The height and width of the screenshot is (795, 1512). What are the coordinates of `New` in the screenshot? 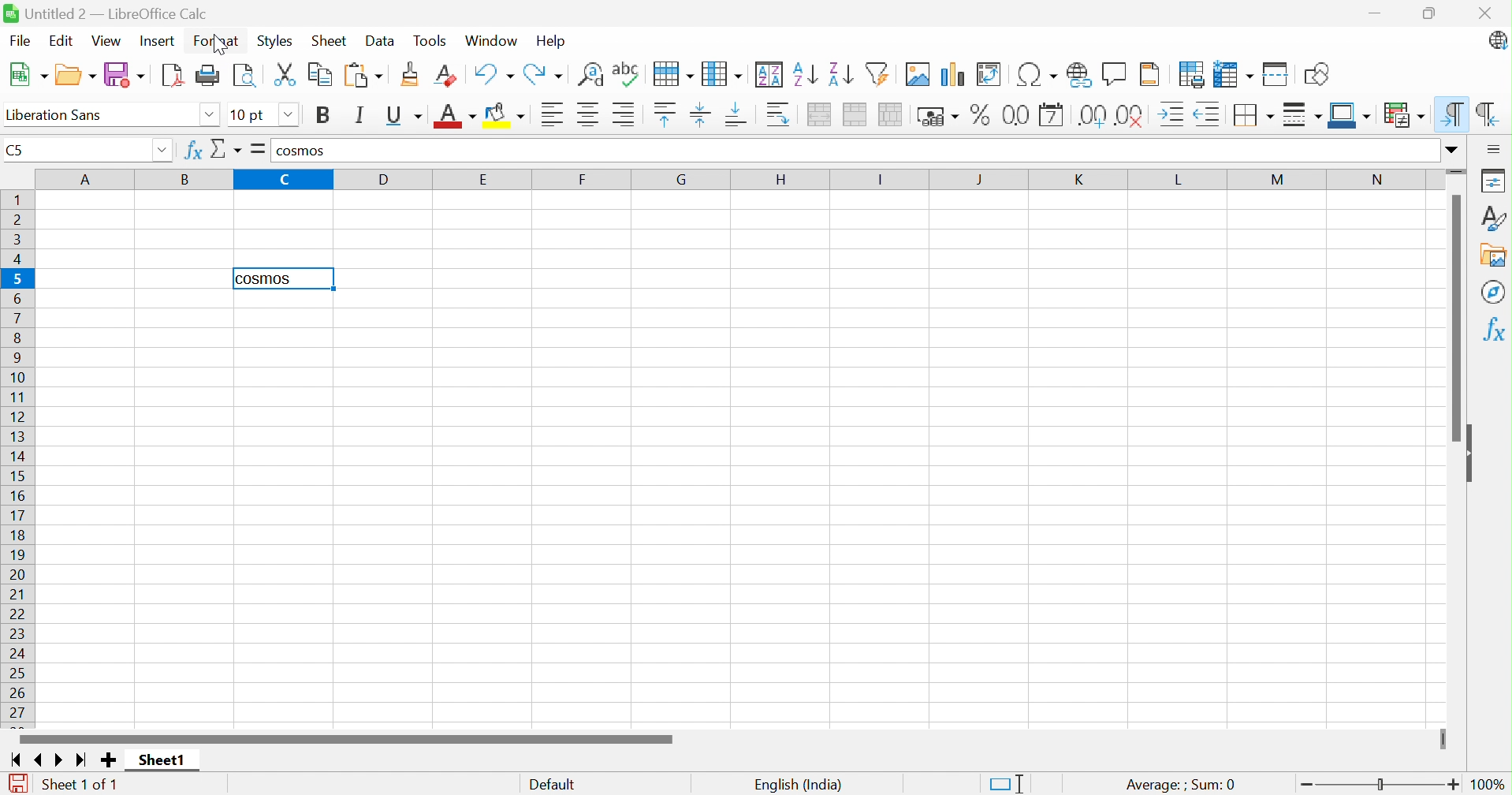 It's located at (79, 76).